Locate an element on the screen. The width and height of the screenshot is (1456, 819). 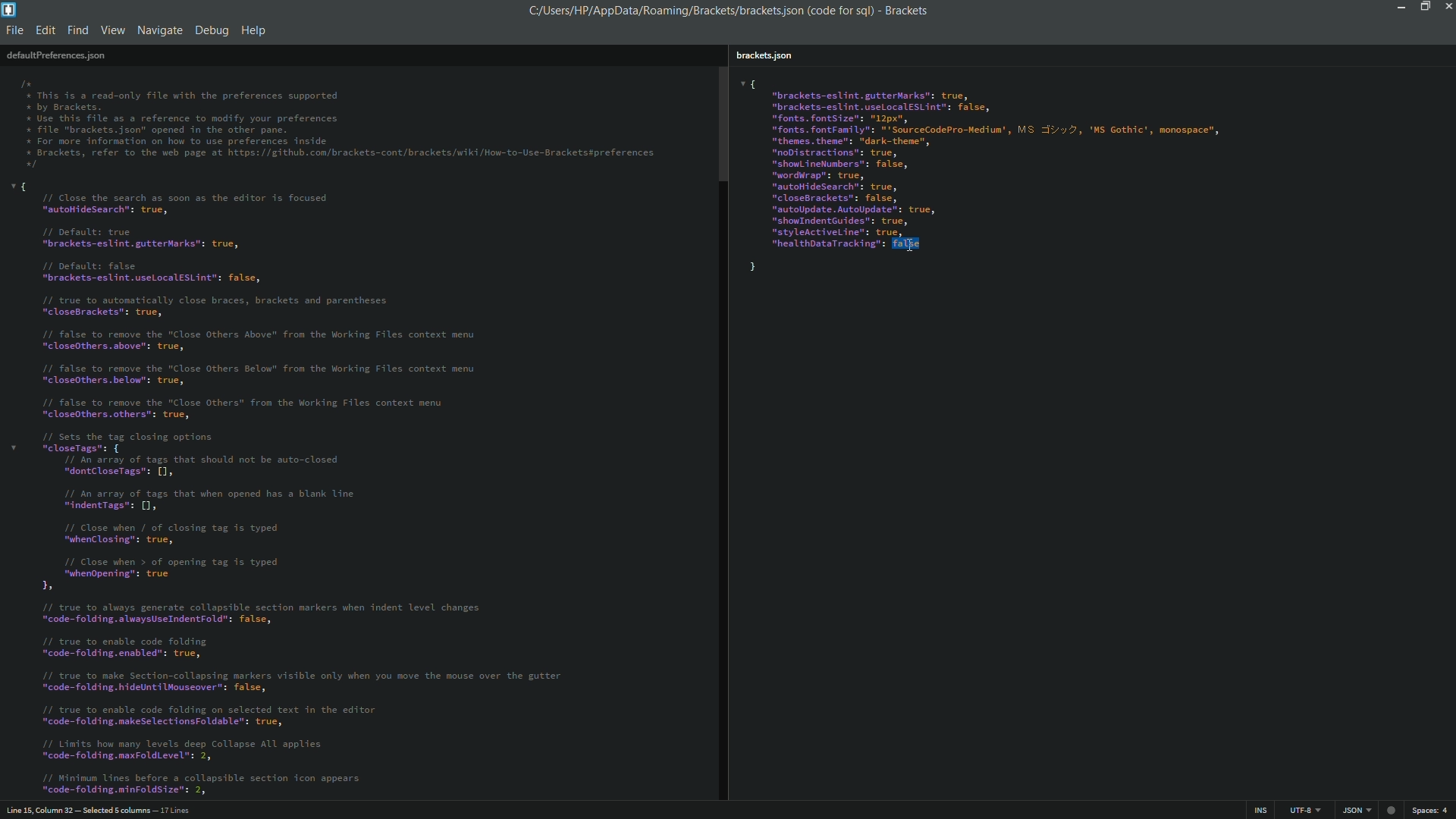
Help menu is located at coordinates (256, 30).